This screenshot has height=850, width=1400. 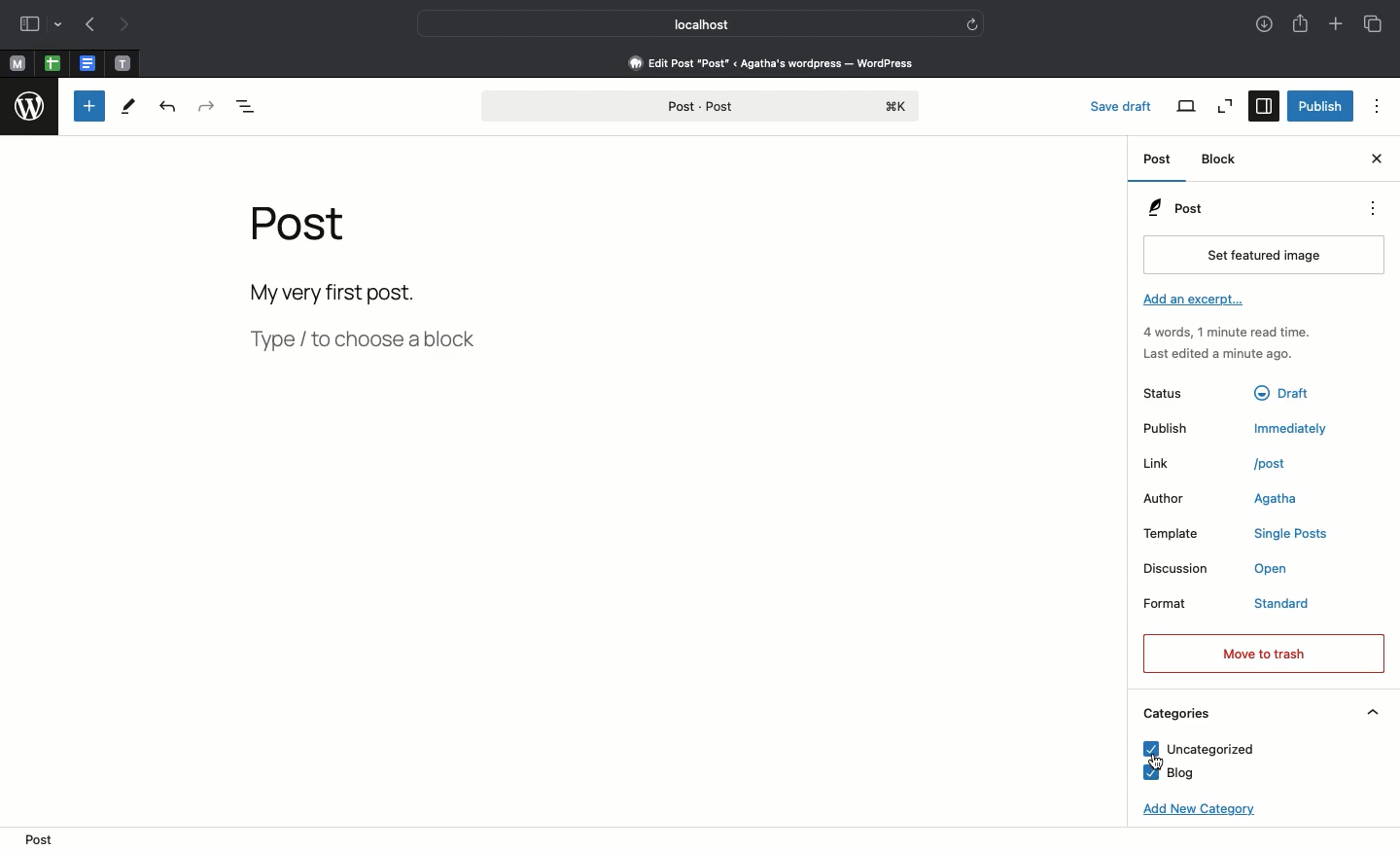 I want to click on Post-Post, so click(x=699, y=107).